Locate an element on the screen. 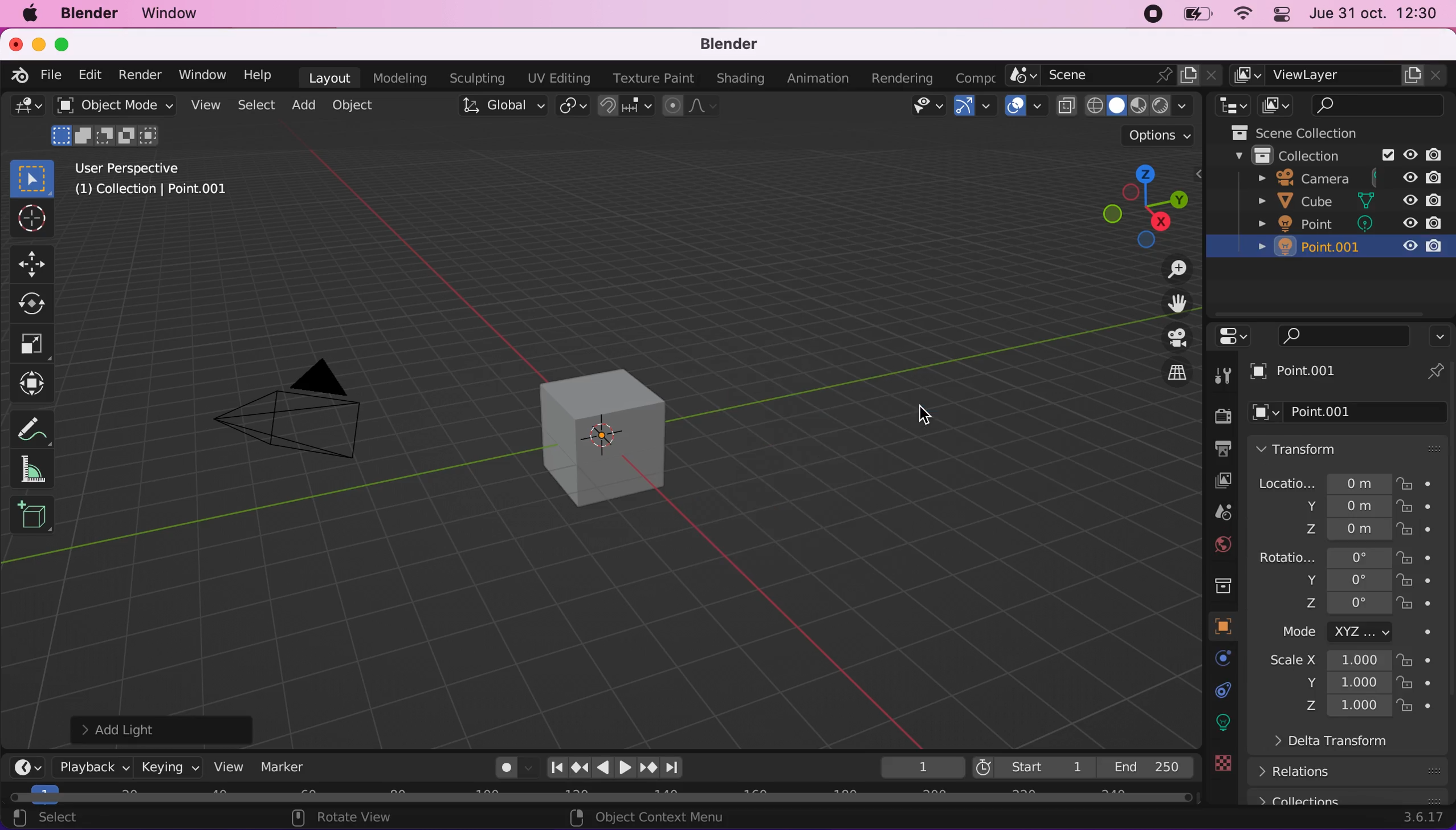 The image size is (1456, 830). scene collection is located at coordinates (1290, 132).